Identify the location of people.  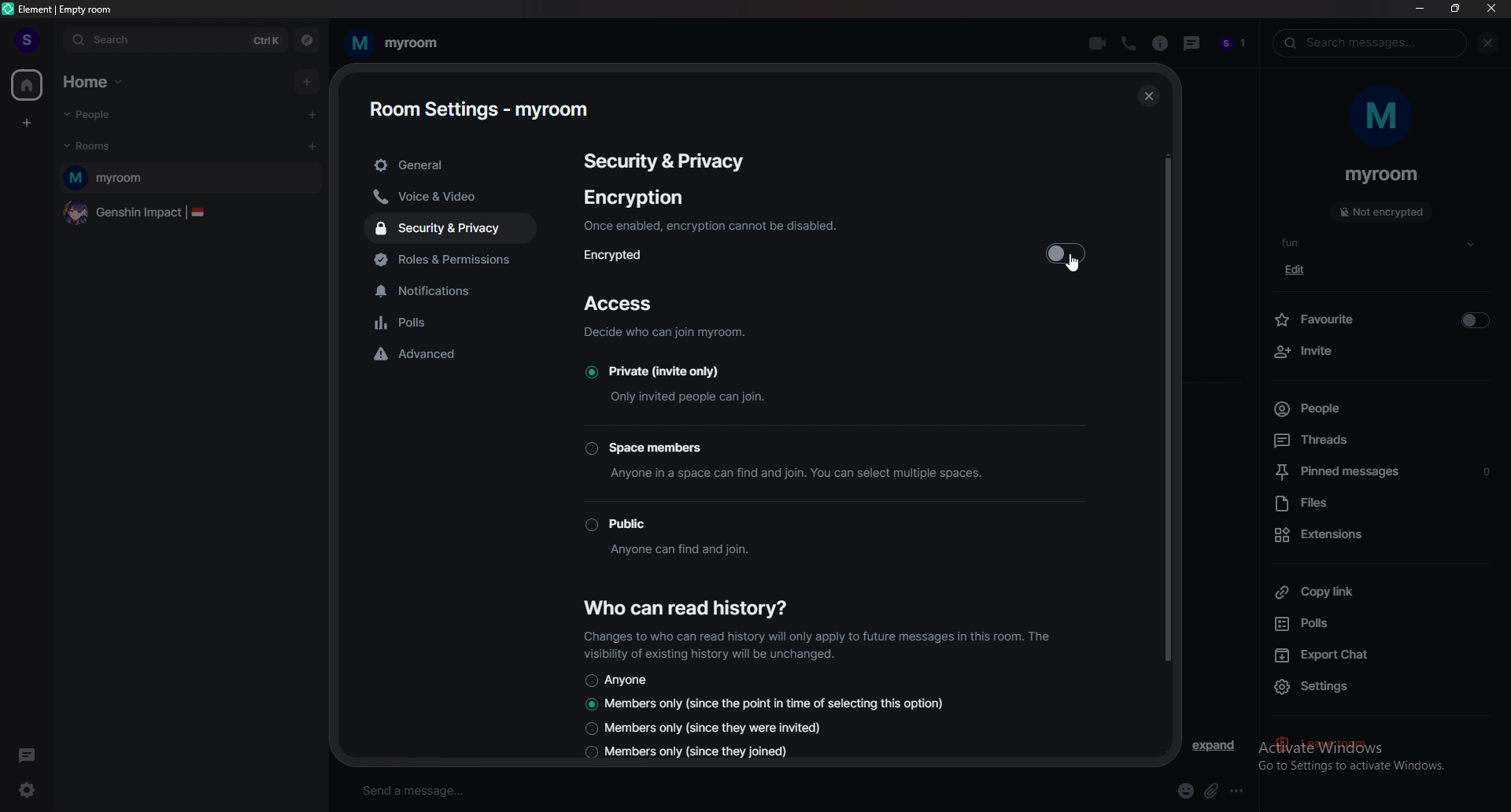
(1381, 408).